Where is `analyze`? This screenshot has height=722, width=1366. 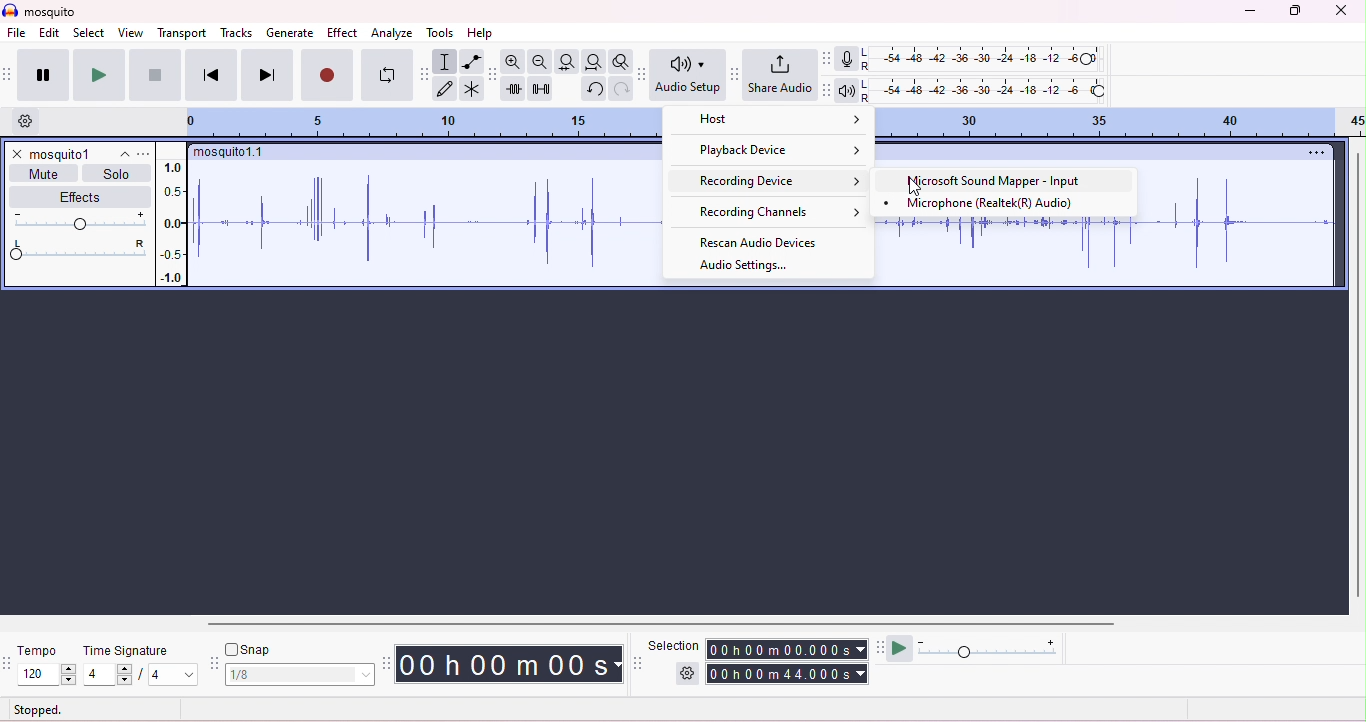
analyze is located at coordinates (394, 34).